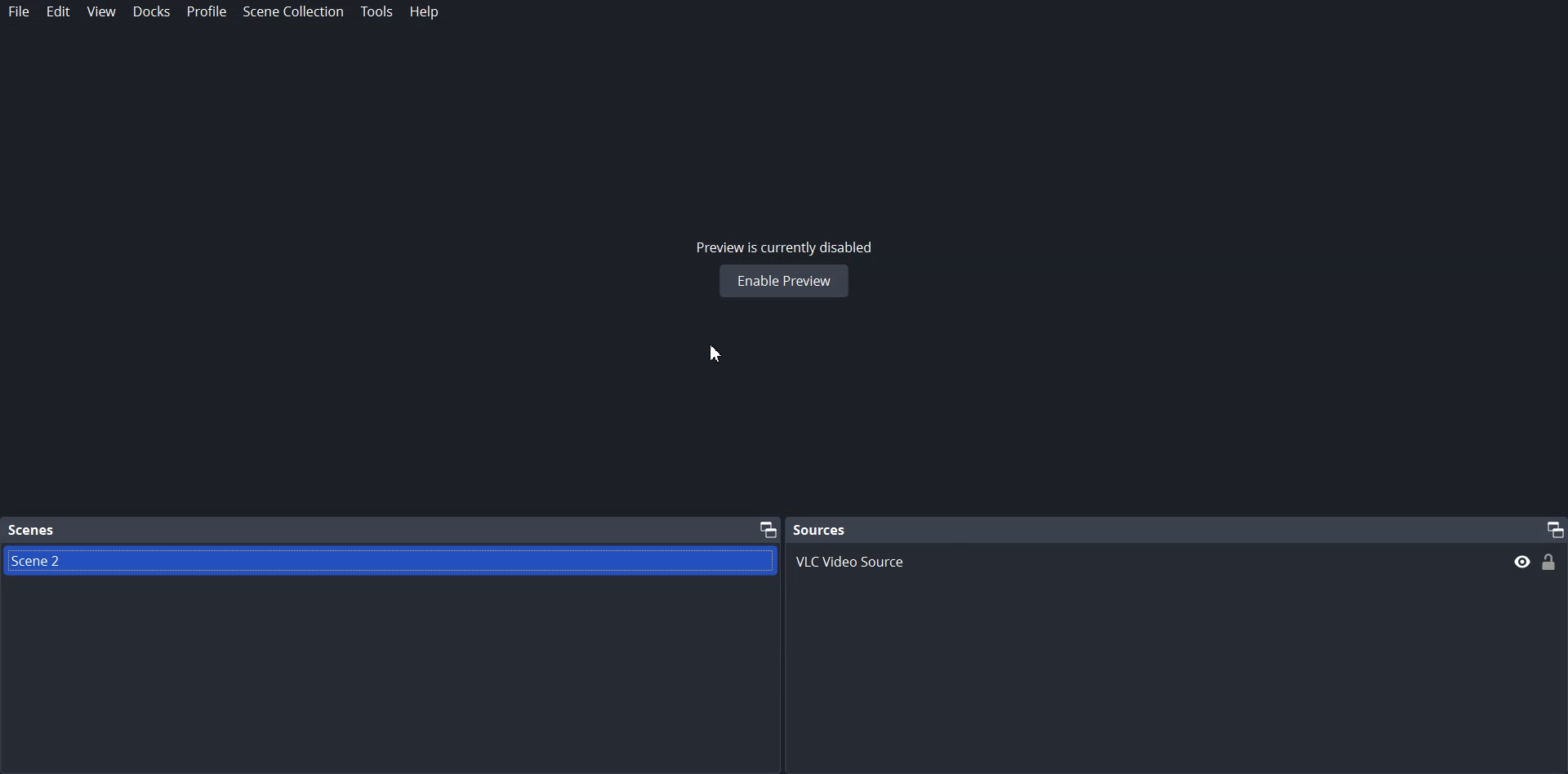 This screenshot has width=1568, height=774. Describe the element at coordinates (57, 12) in the screenshot. I see `Edit` at that location.